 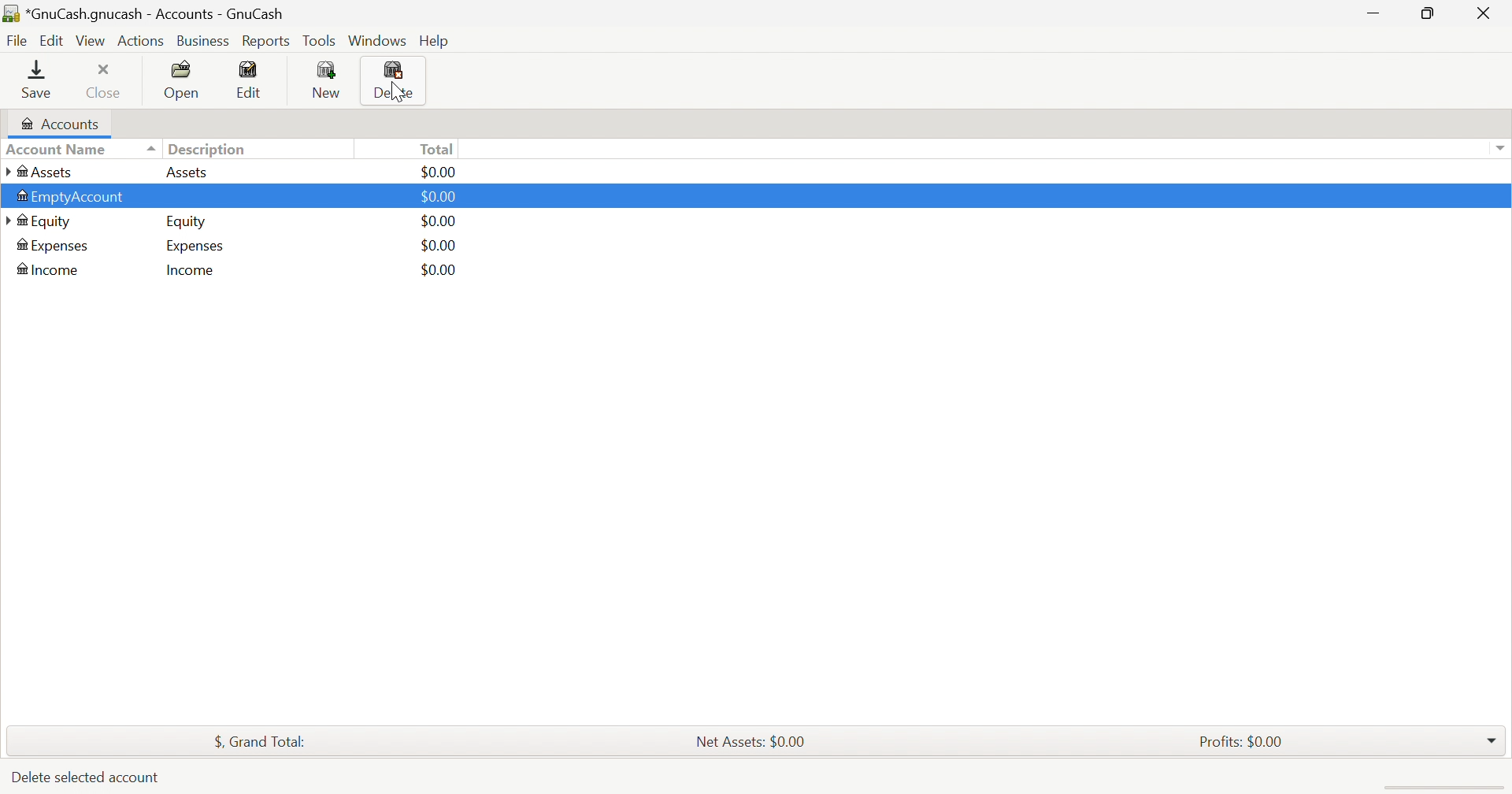 I want to click on Total, so click(x=441, y=149).